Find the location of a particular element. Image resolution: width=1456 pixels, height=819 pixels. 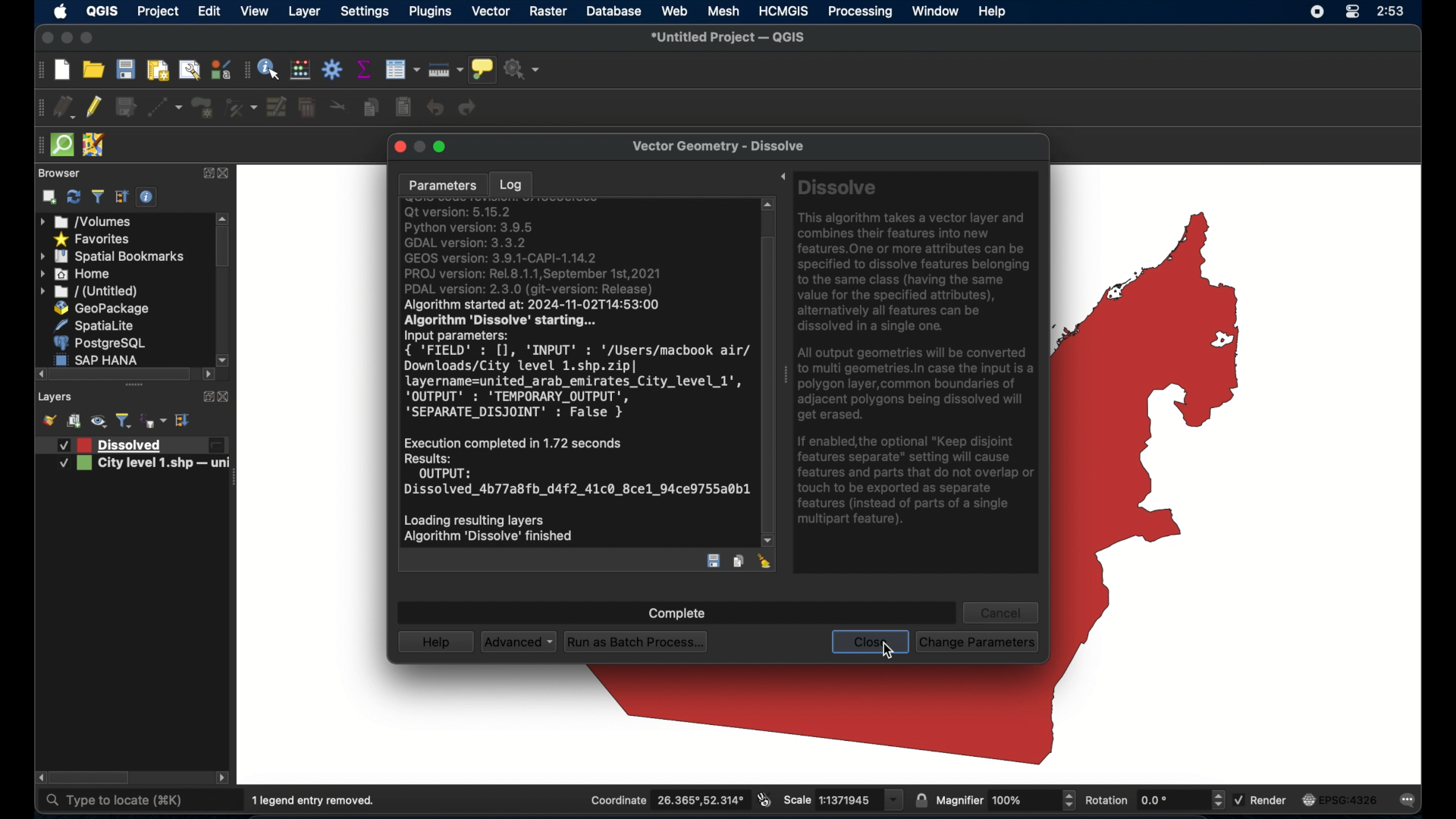

paste features is located at coordinates (403, 108).